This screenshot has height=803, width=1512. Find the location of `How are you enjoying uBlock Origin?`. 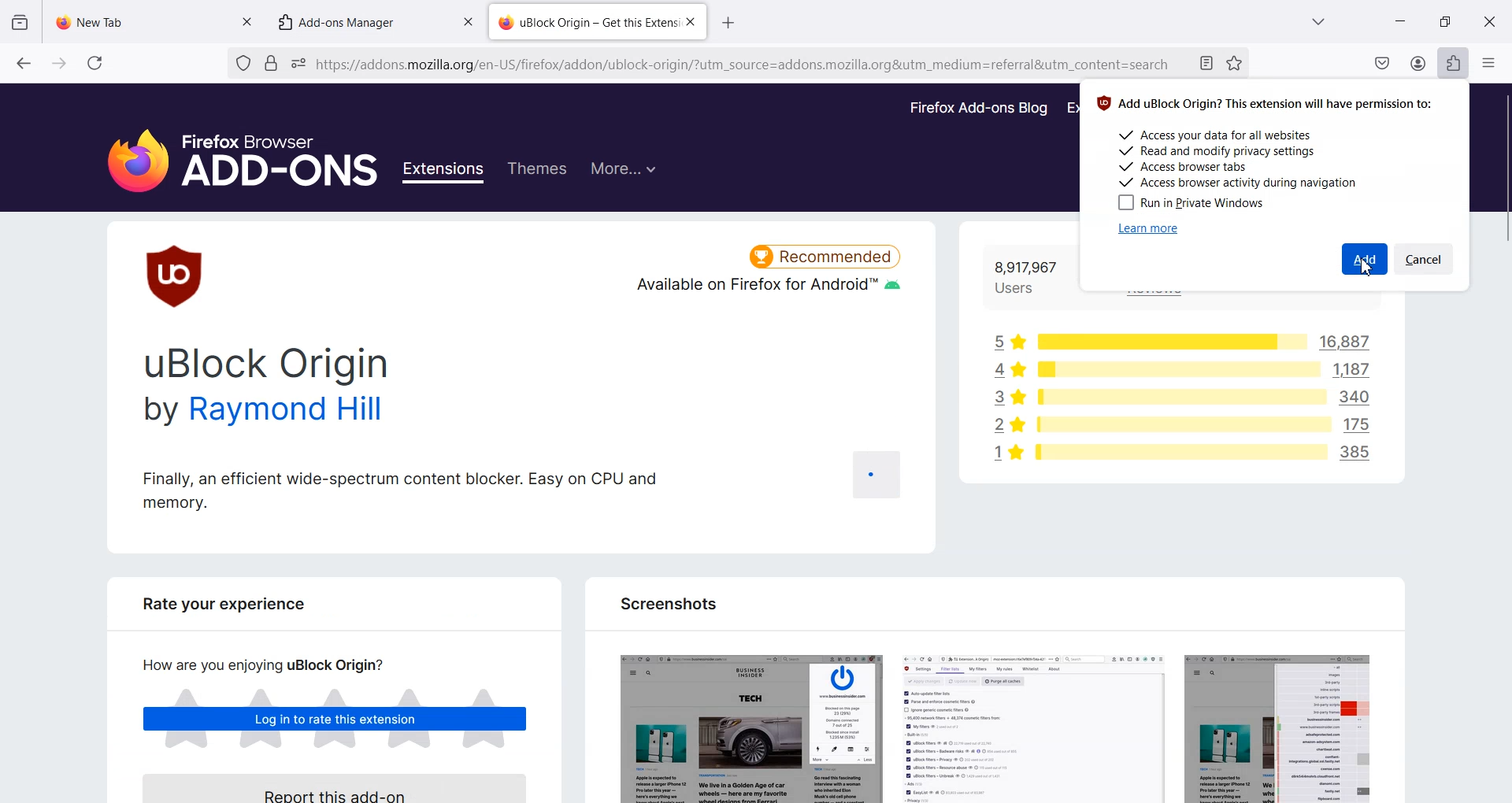

How are you enjoying uBlock Origin? is located at coordinates (257, 664).